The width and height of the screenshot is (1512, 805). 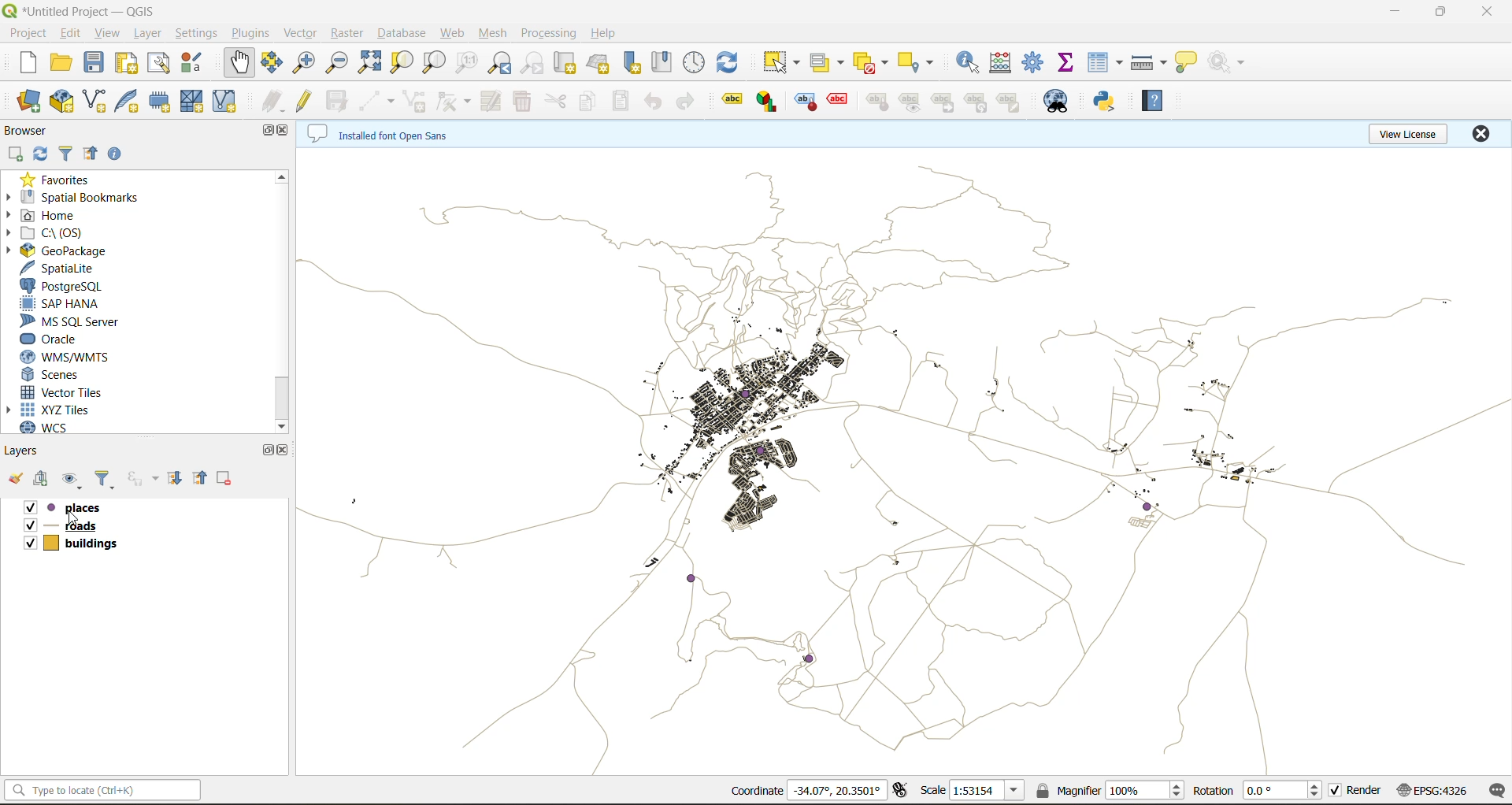 I want to click on zoom last, so click(x=506, y=63).